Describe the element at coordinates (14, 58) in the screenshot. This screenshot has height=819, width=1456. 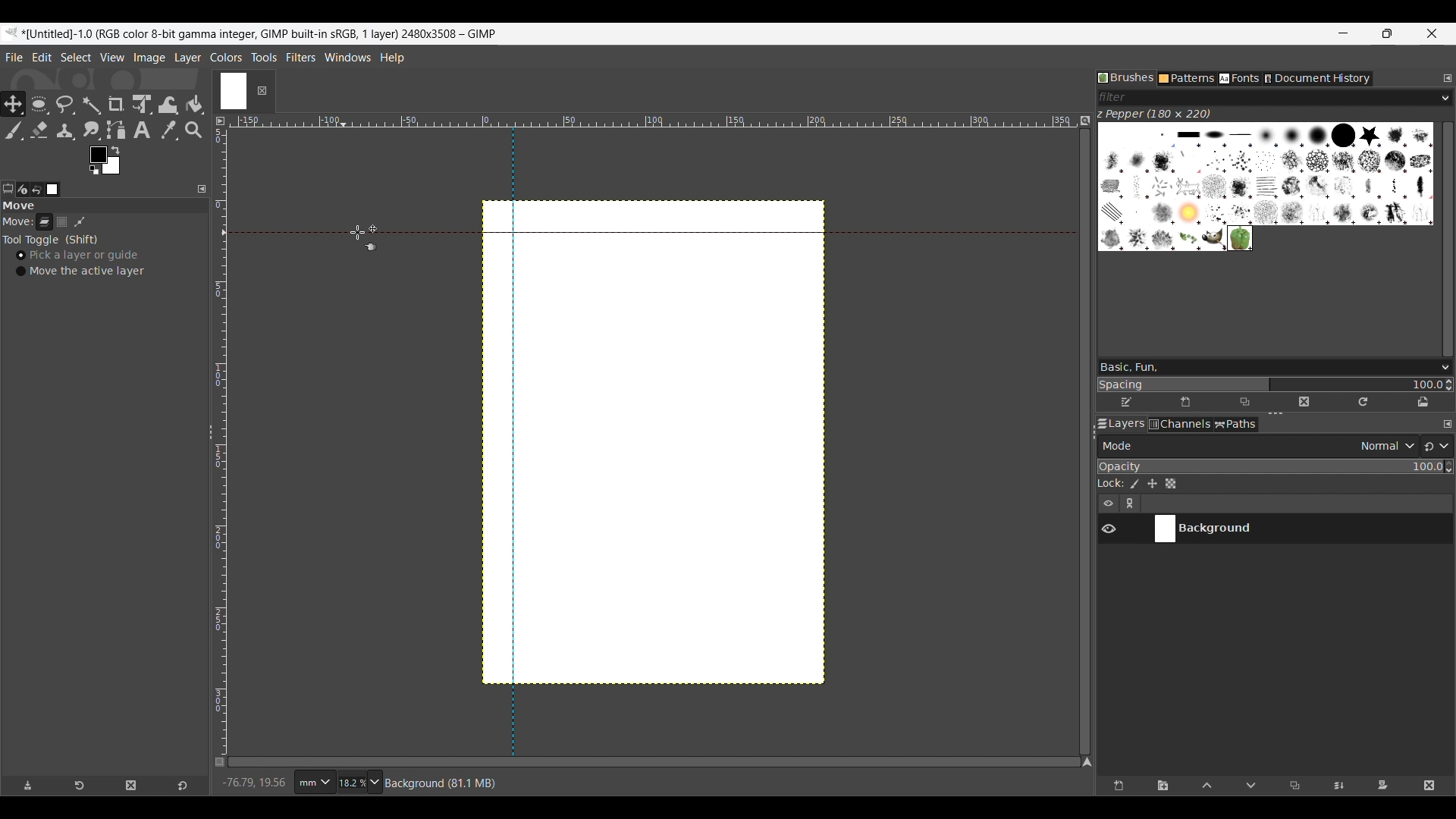
I see `File menu` at that location.